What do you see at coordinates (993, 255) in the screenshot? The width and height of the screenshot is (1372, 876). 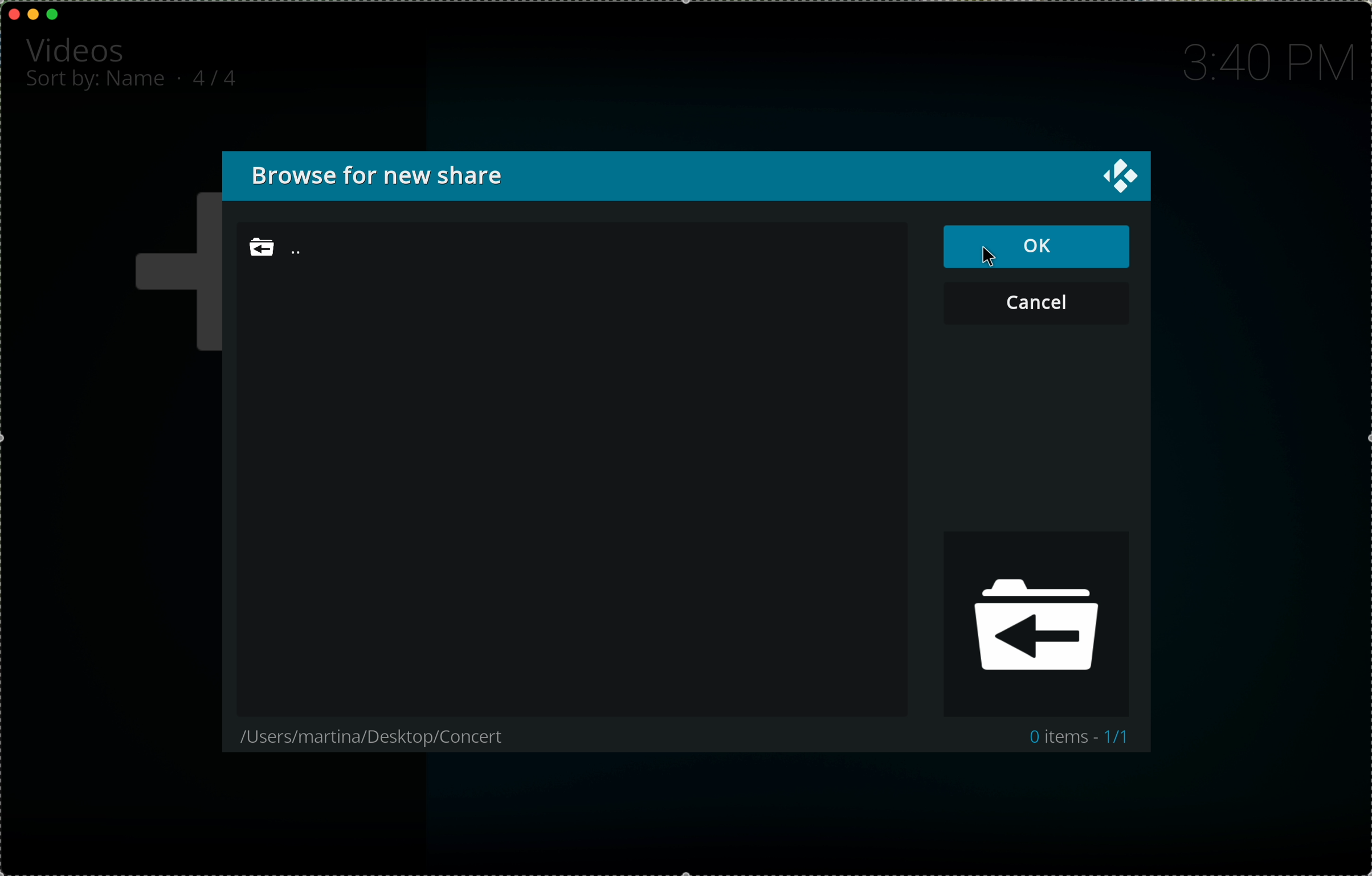 I see `cursor` at bounding box center [993, 255].